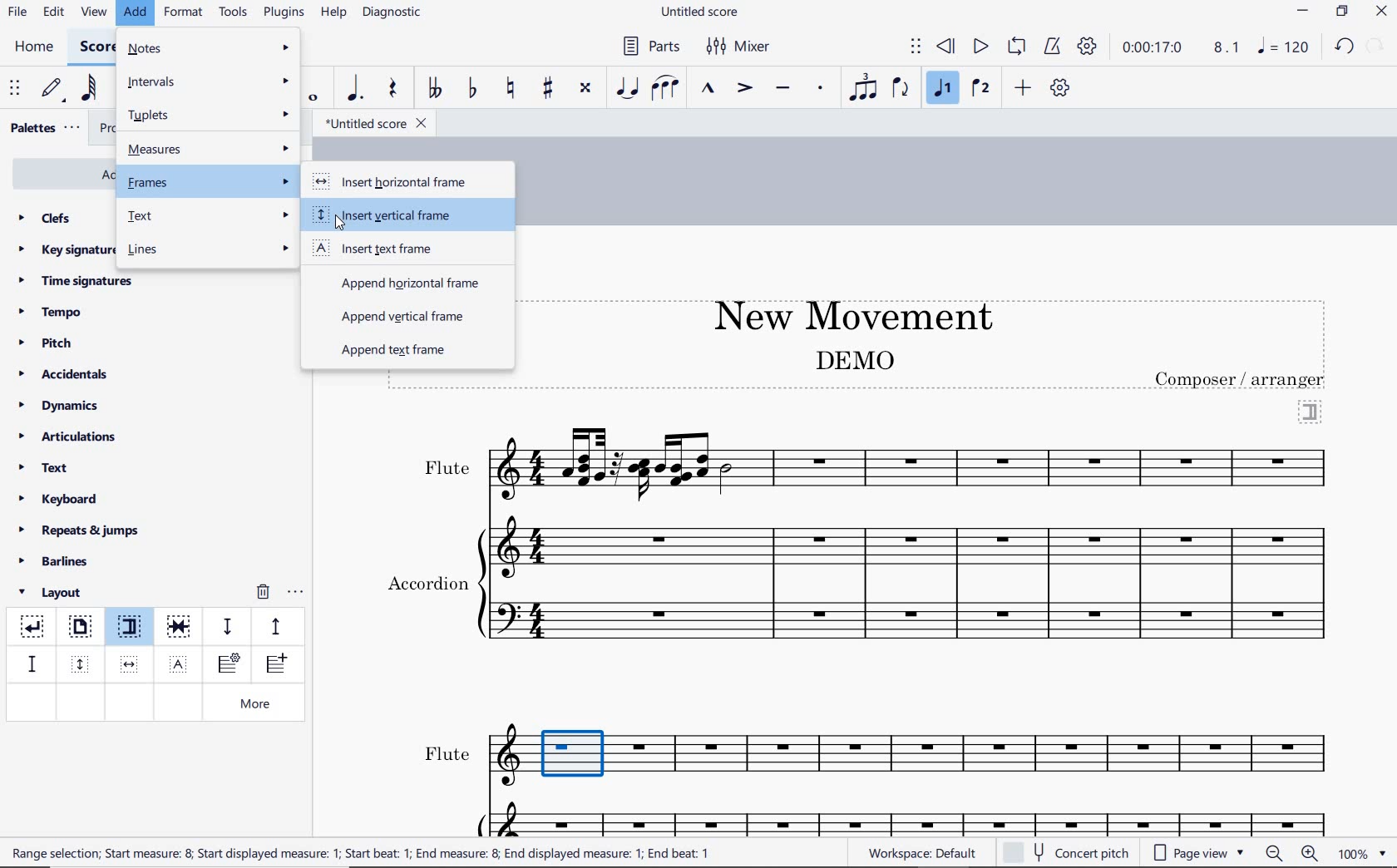 The image size is (1397, 868). I want to click on toggle double-flat, so click(434, 89).